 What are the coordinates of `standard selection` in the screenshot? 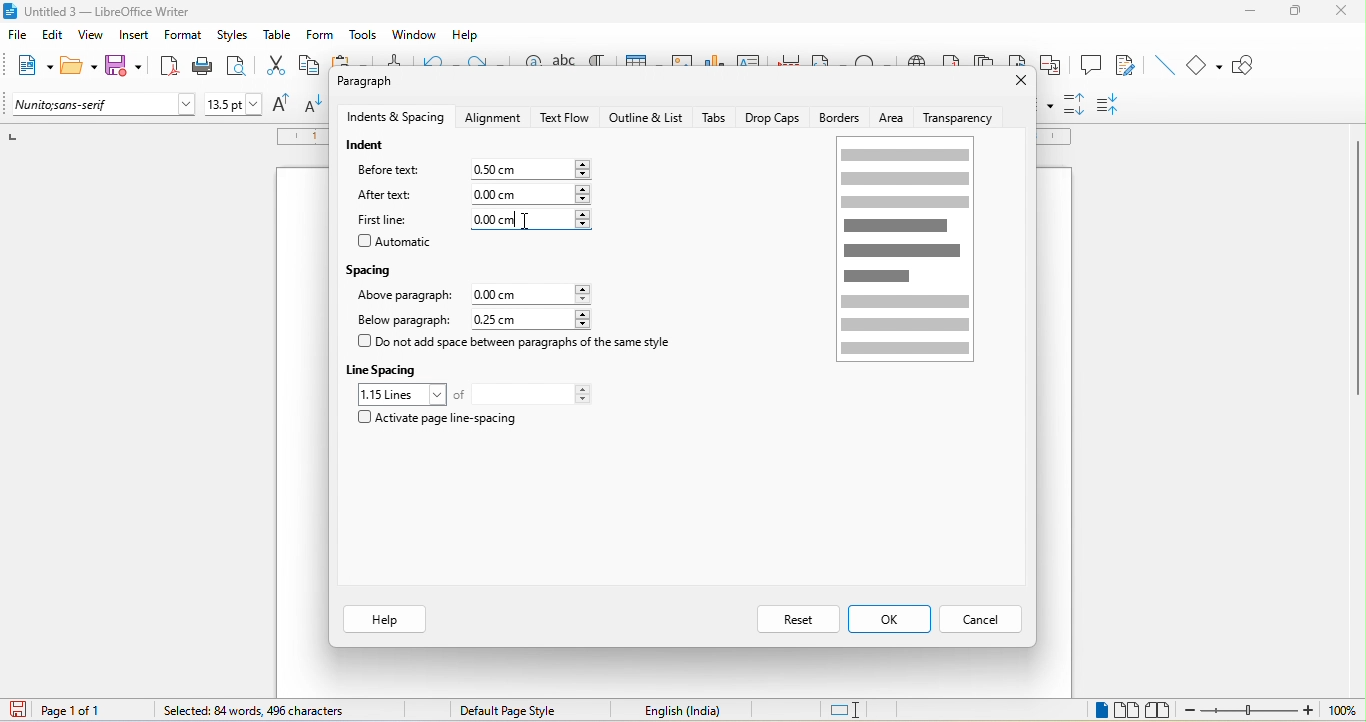 It's located at (847, 711).